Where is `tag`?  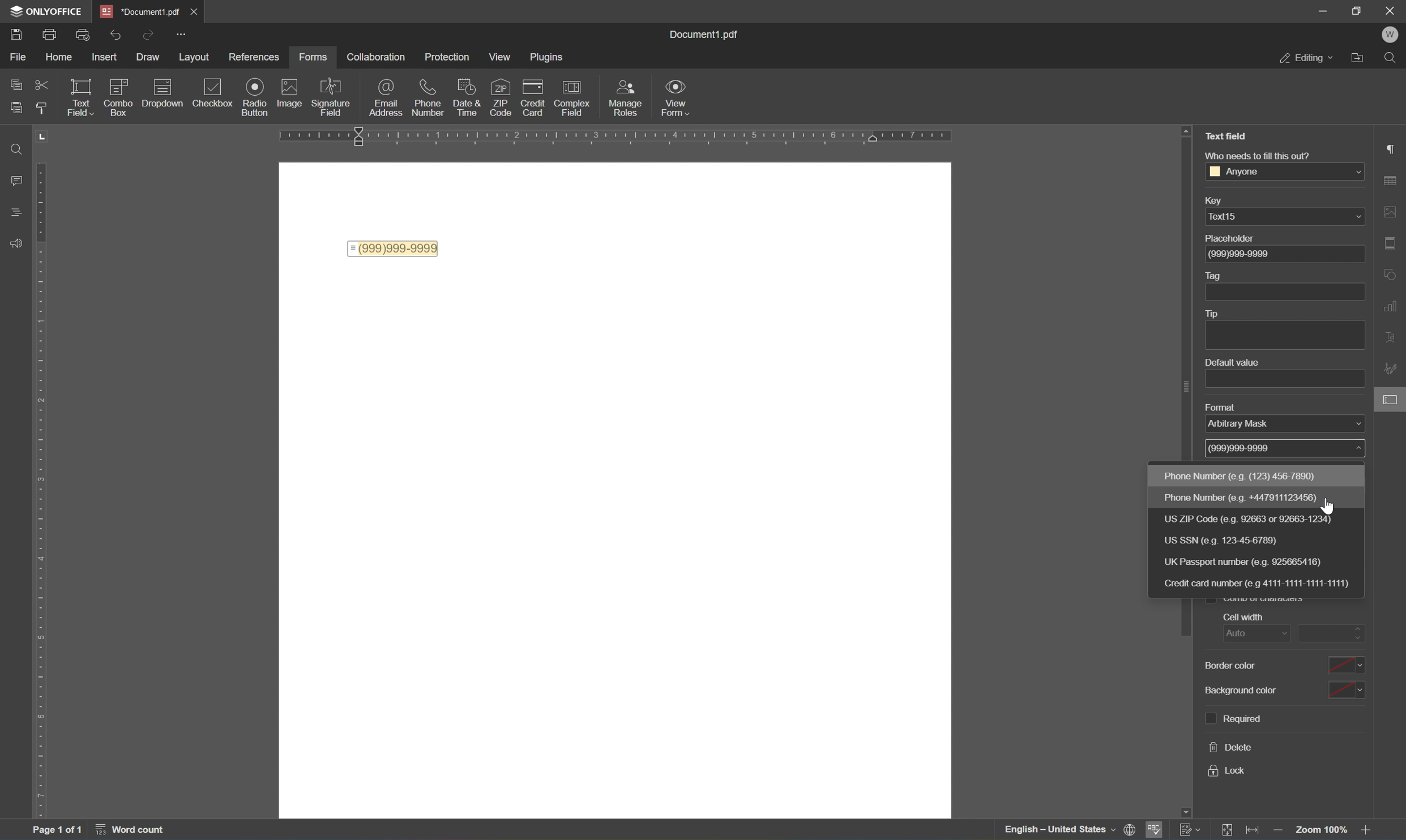 tag is located at coordinates (1213, 275).